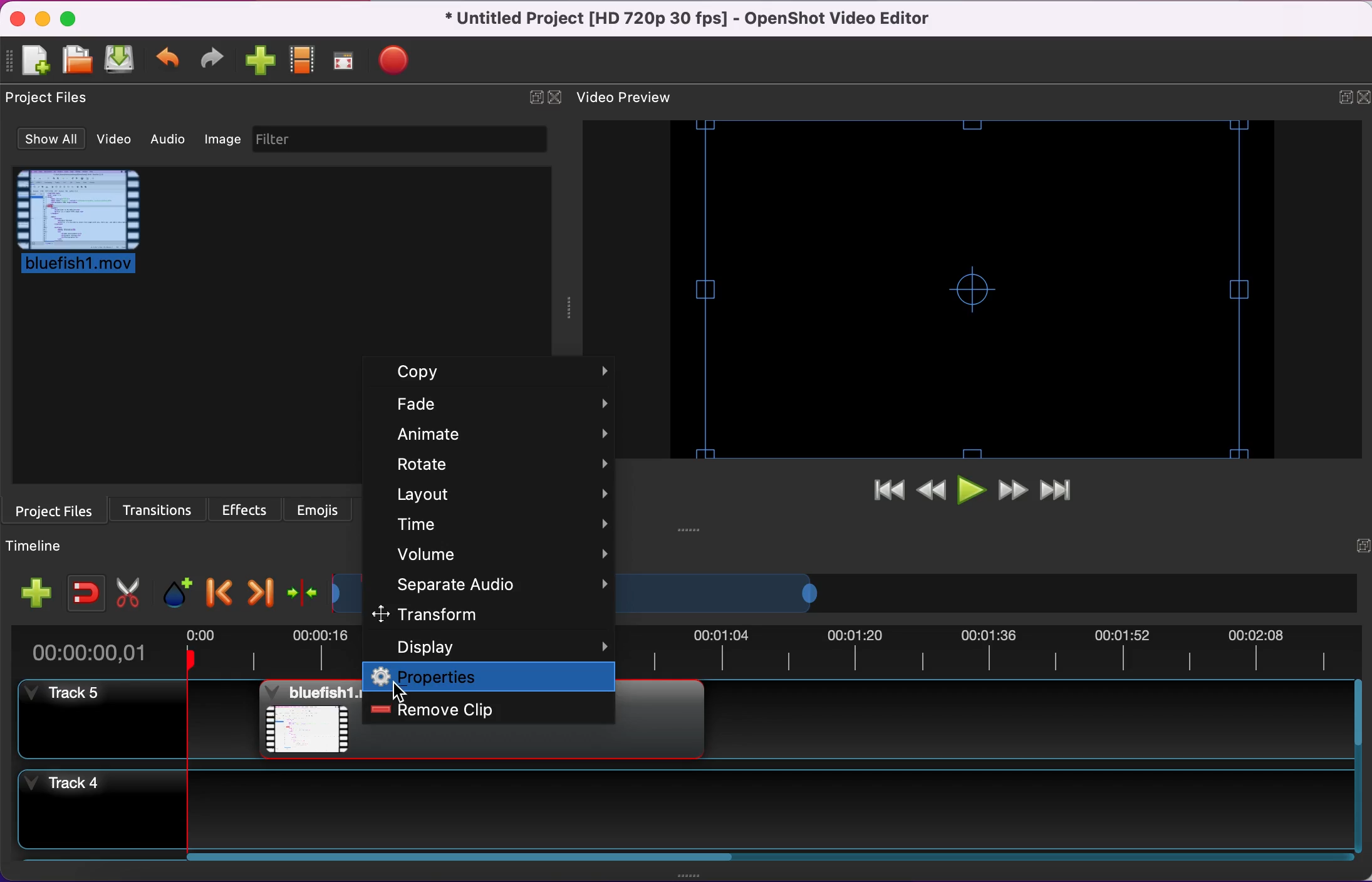 The image size is (1372, 882). What do you see at coordinates (556, 98) in the screenshot?
I see `close` at bounding box center [556, 98].